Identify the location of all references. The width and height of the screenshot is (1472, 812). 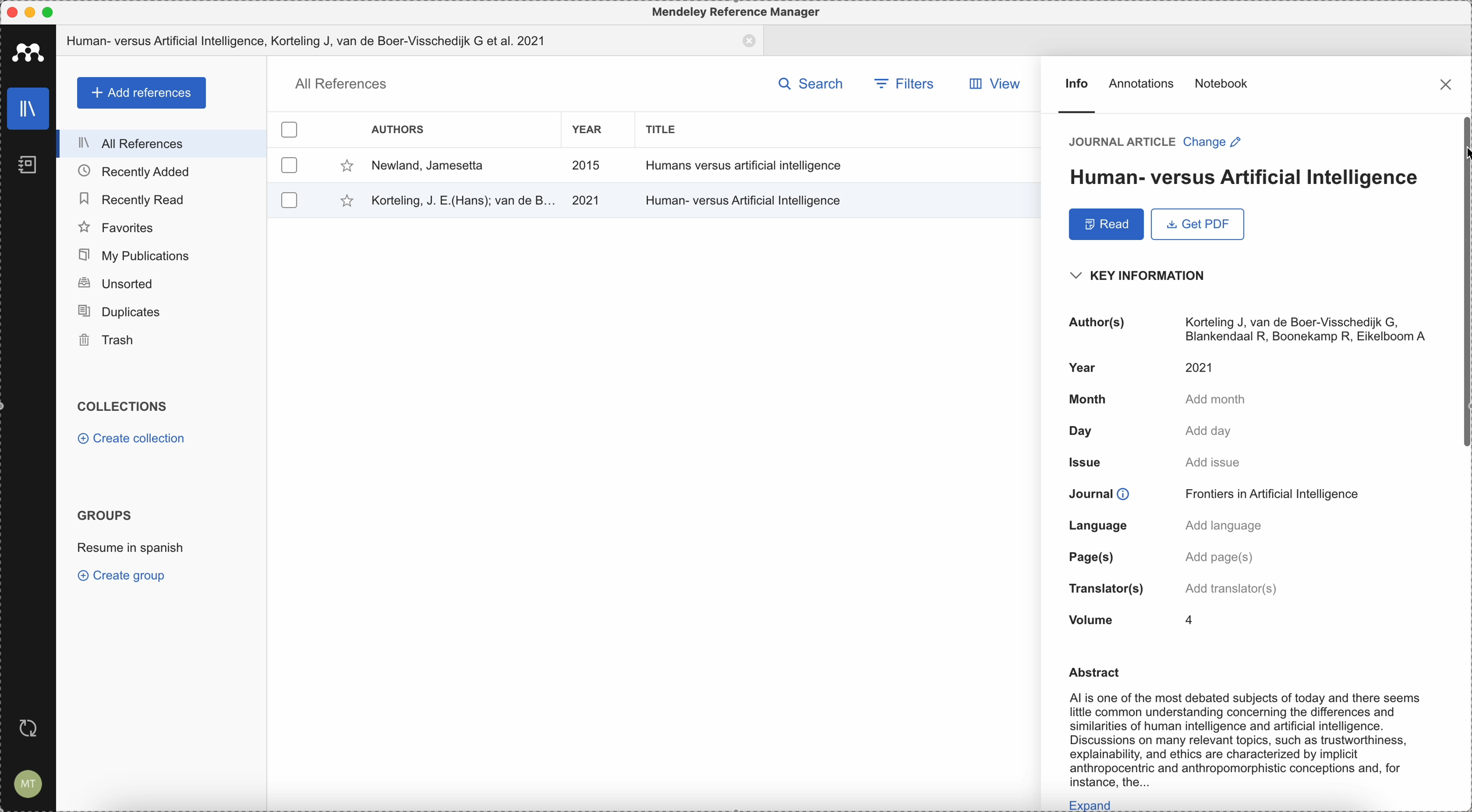
(162, 143).